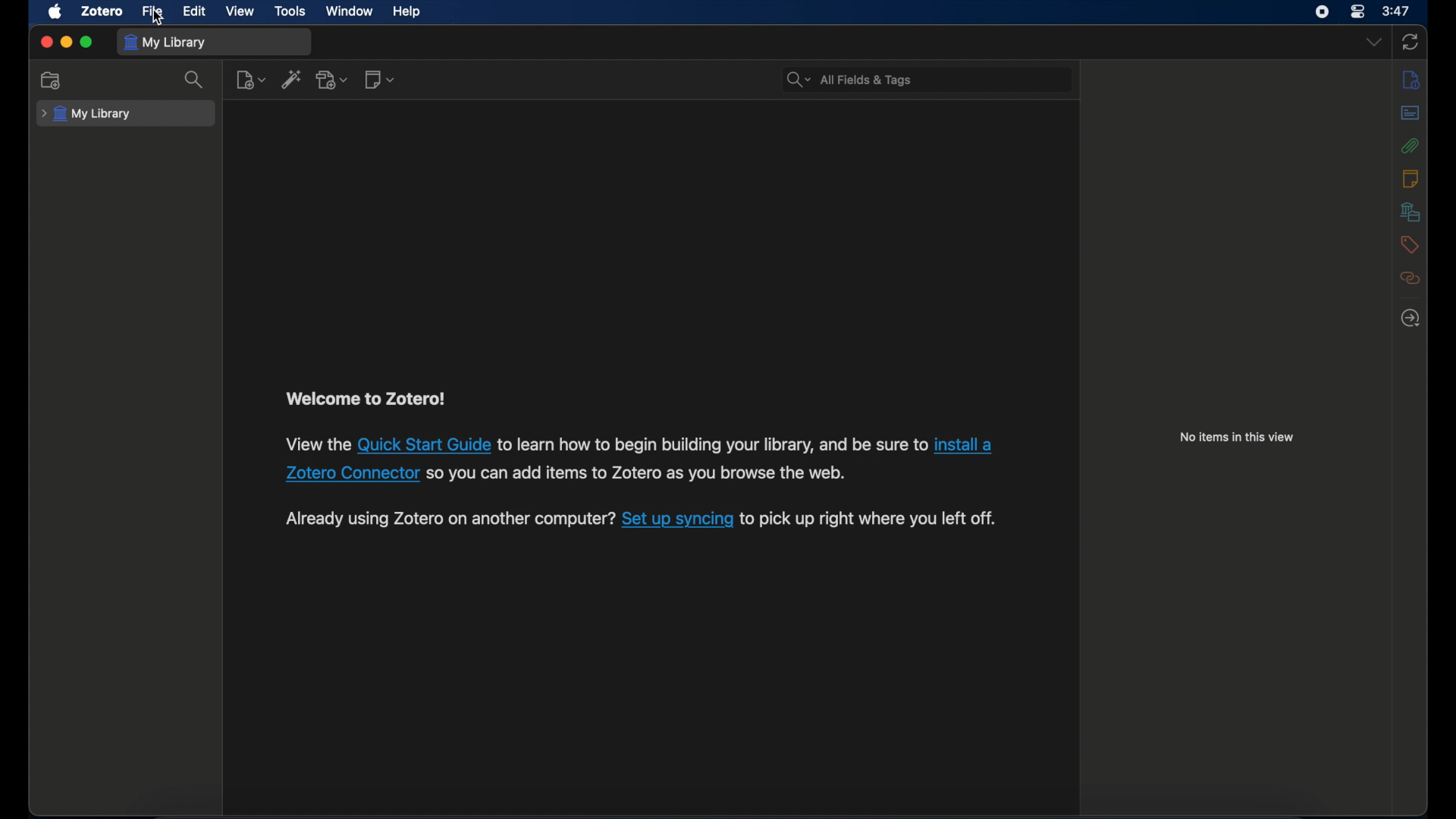 This screenshot has height=819, width=1456. I want to click on welcome to zotero, so click(363, 397).